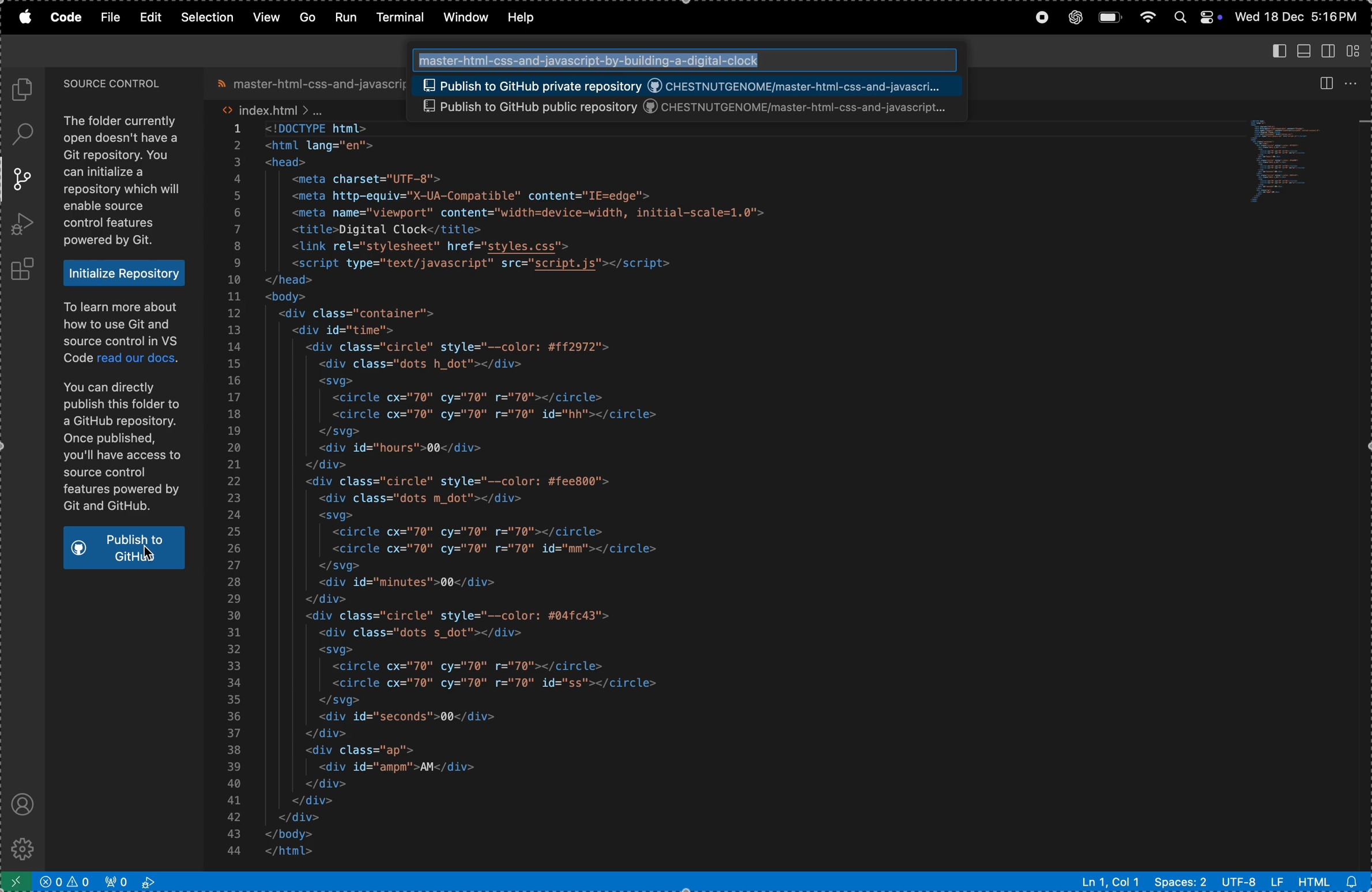 The width and height of the screenshot is (1372, 892). Describe the element at coordinates (1182, 882) in the screenshot. I see `spaces 2` at that location.